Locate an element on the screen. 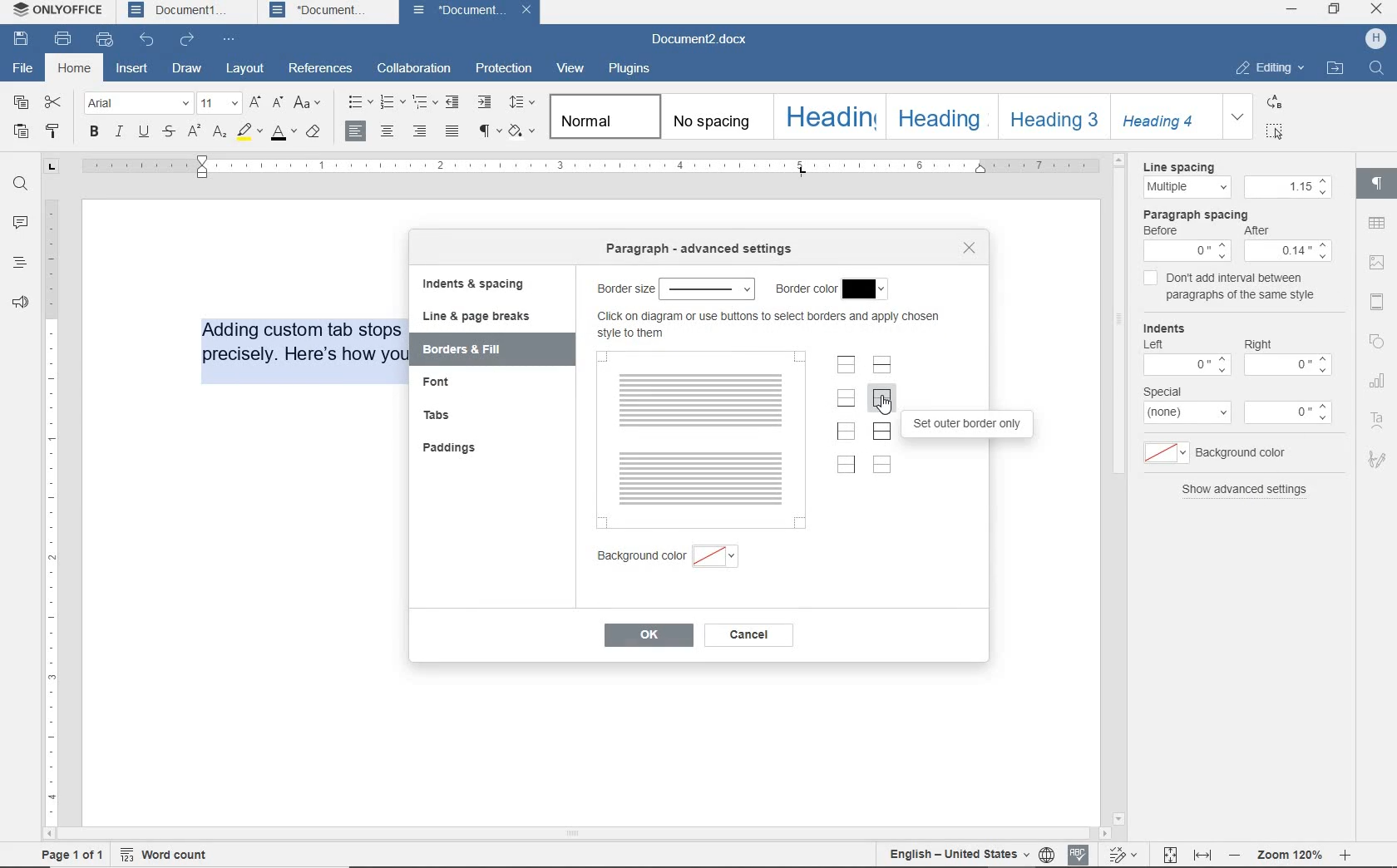 The image size is (1397, 868). indents & spacing is located at coordinates (474, 285).